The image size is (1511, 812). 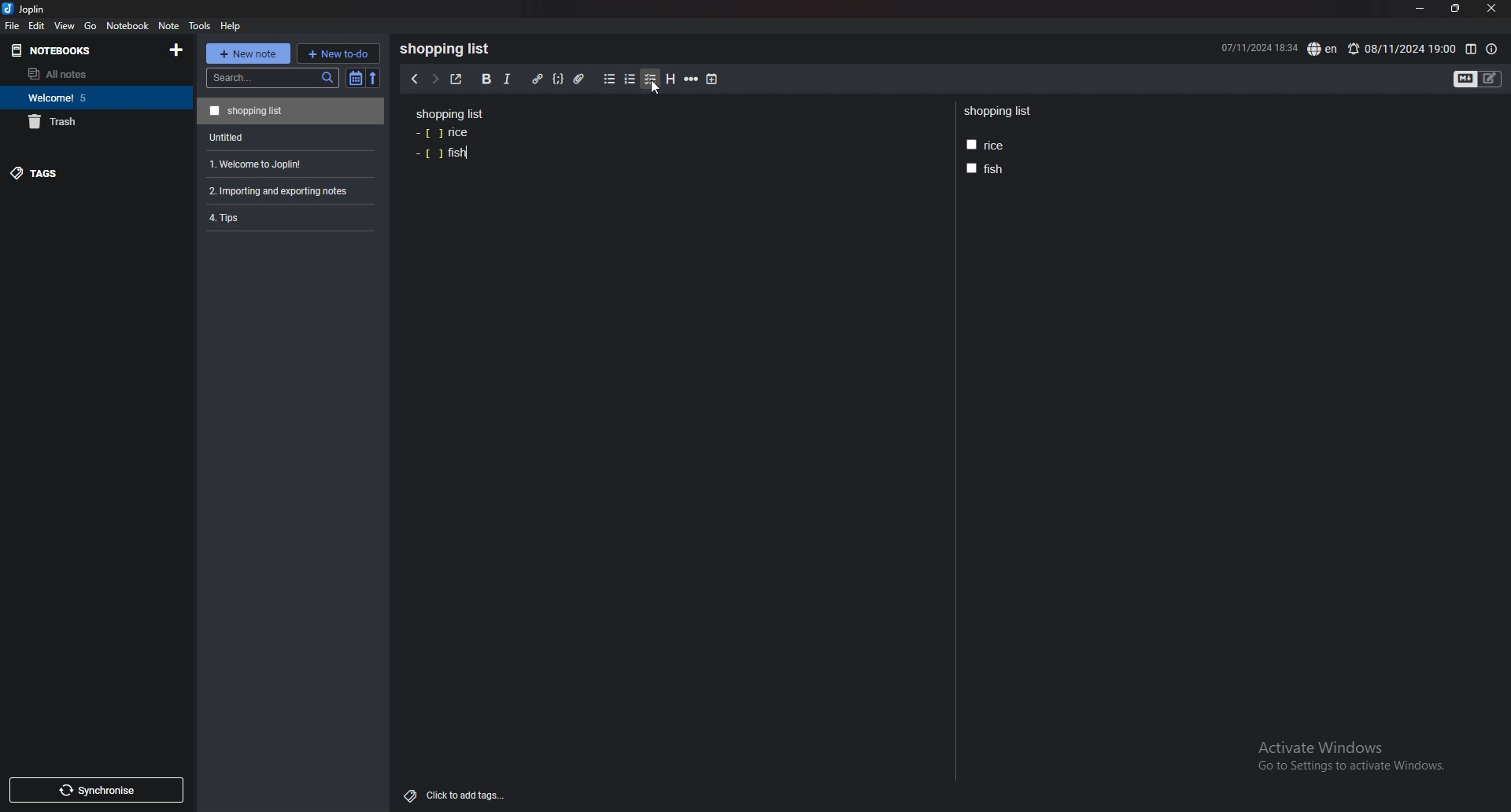 I want to click on add tags, so click(x=456, y=796).